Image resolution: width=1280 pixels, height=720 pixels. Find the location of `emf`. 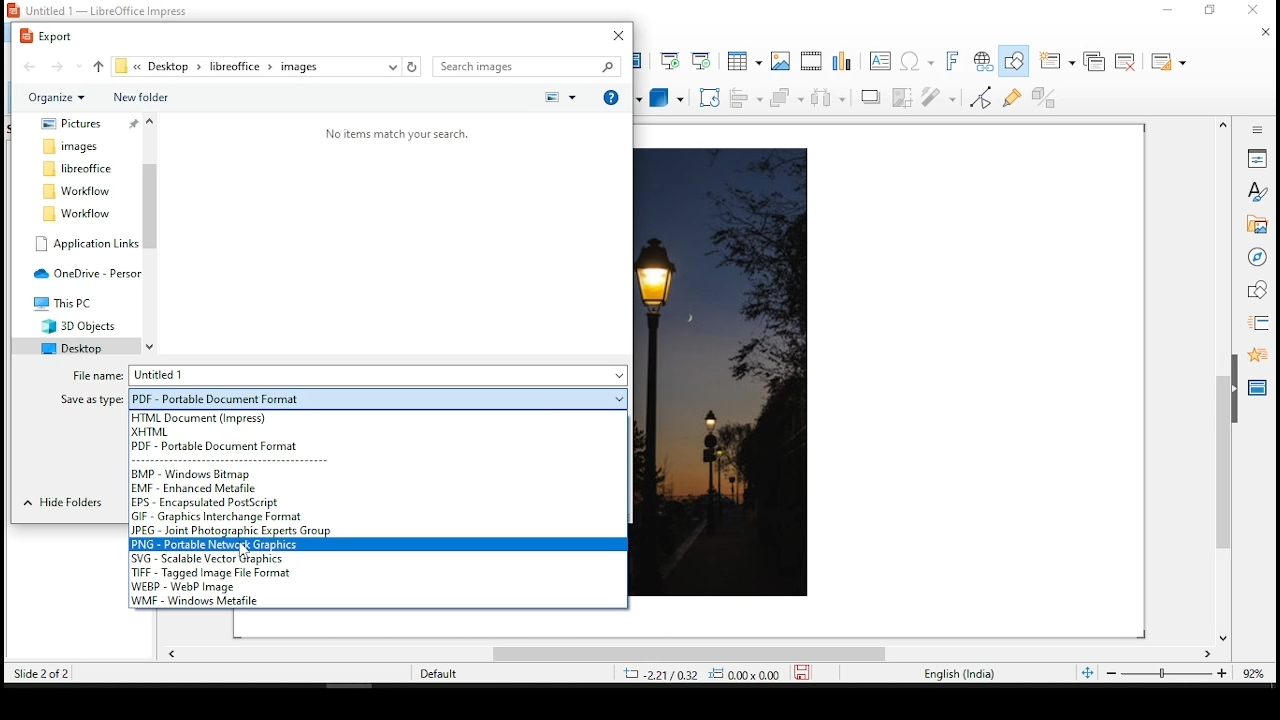

emf is located at coordinates (199, 488).